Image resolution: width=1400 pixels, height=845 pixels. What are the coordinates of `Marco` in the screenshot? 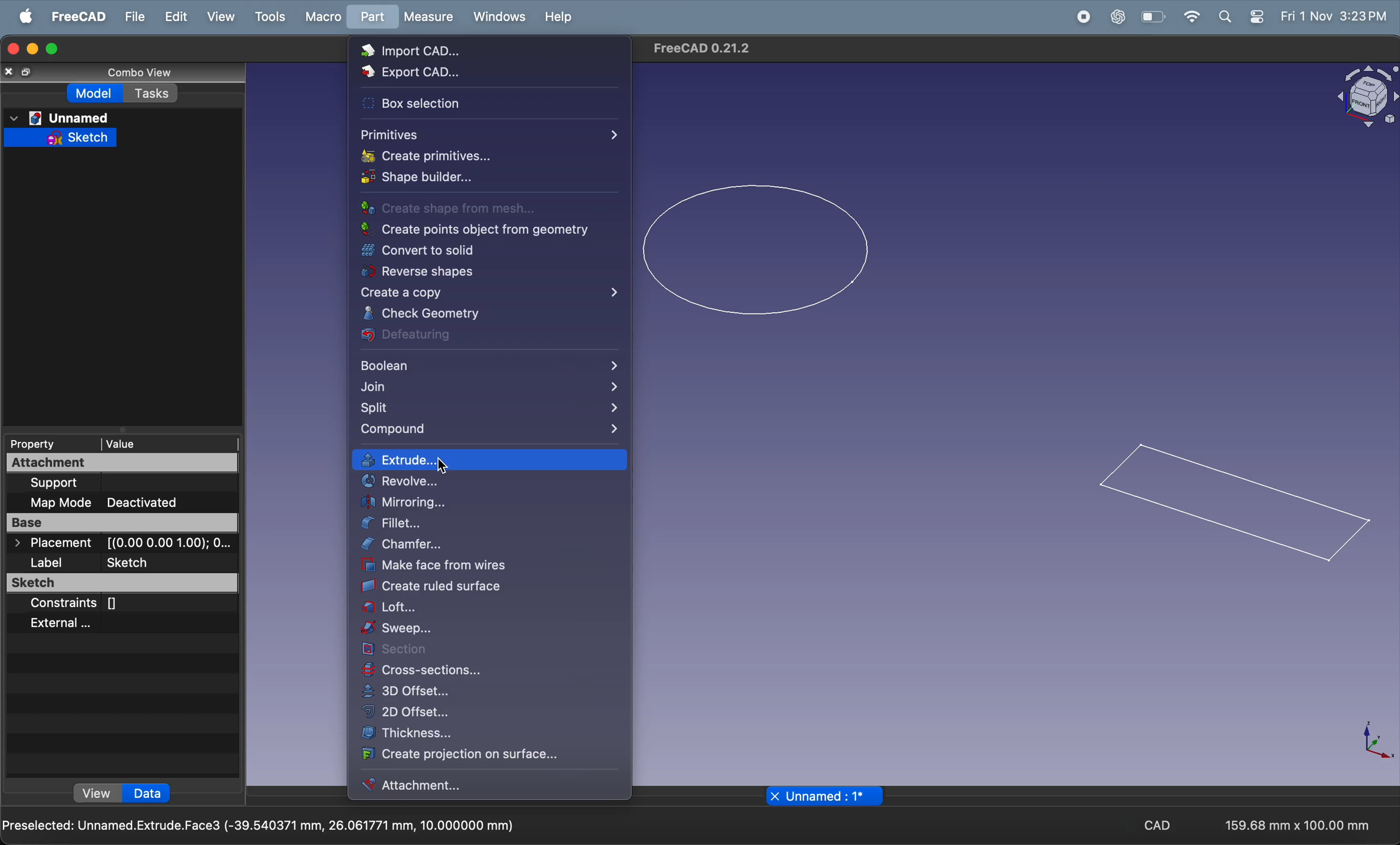 It's located at (322, 16).